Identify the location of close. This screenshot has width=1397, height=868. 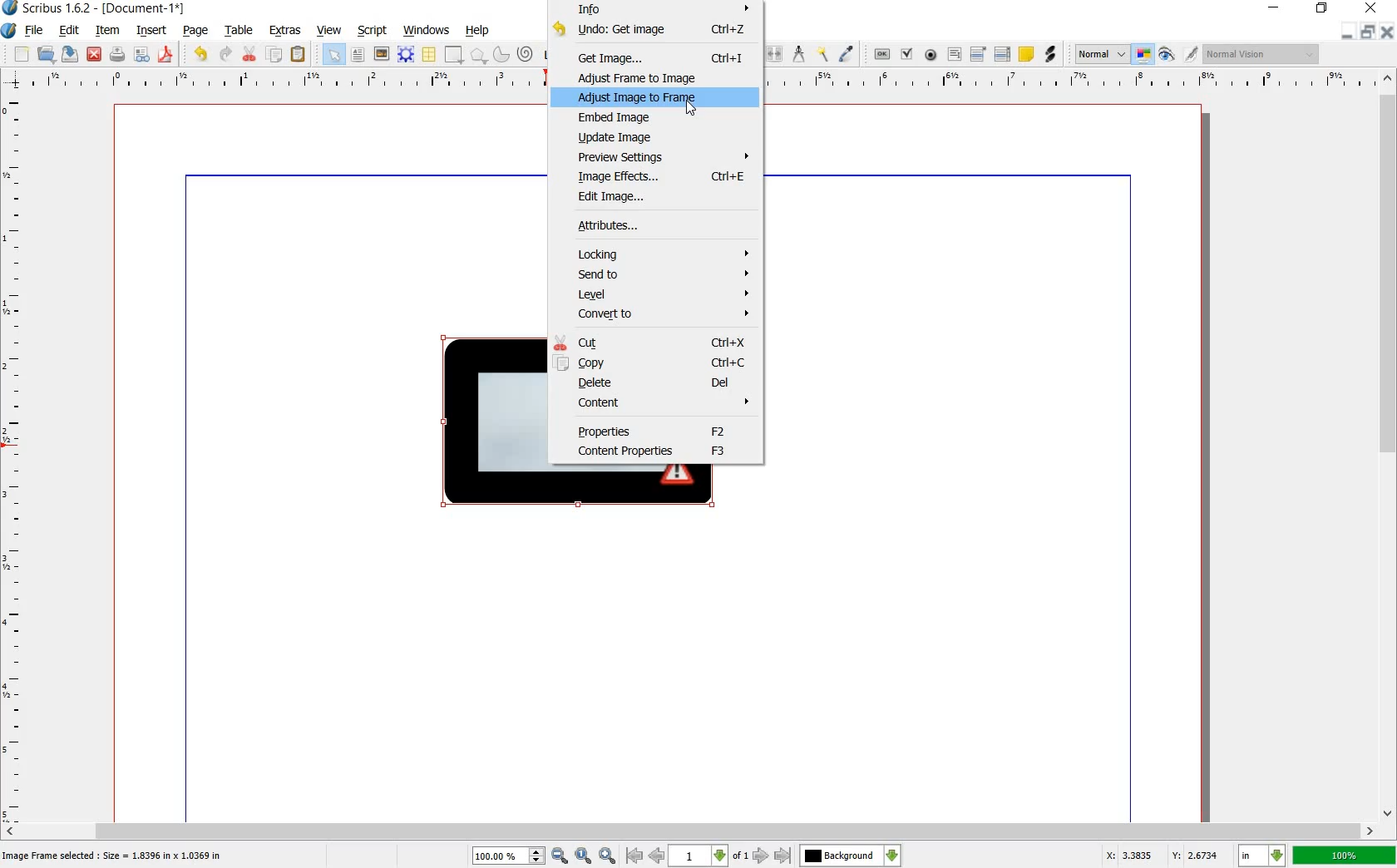
(1370, 8).